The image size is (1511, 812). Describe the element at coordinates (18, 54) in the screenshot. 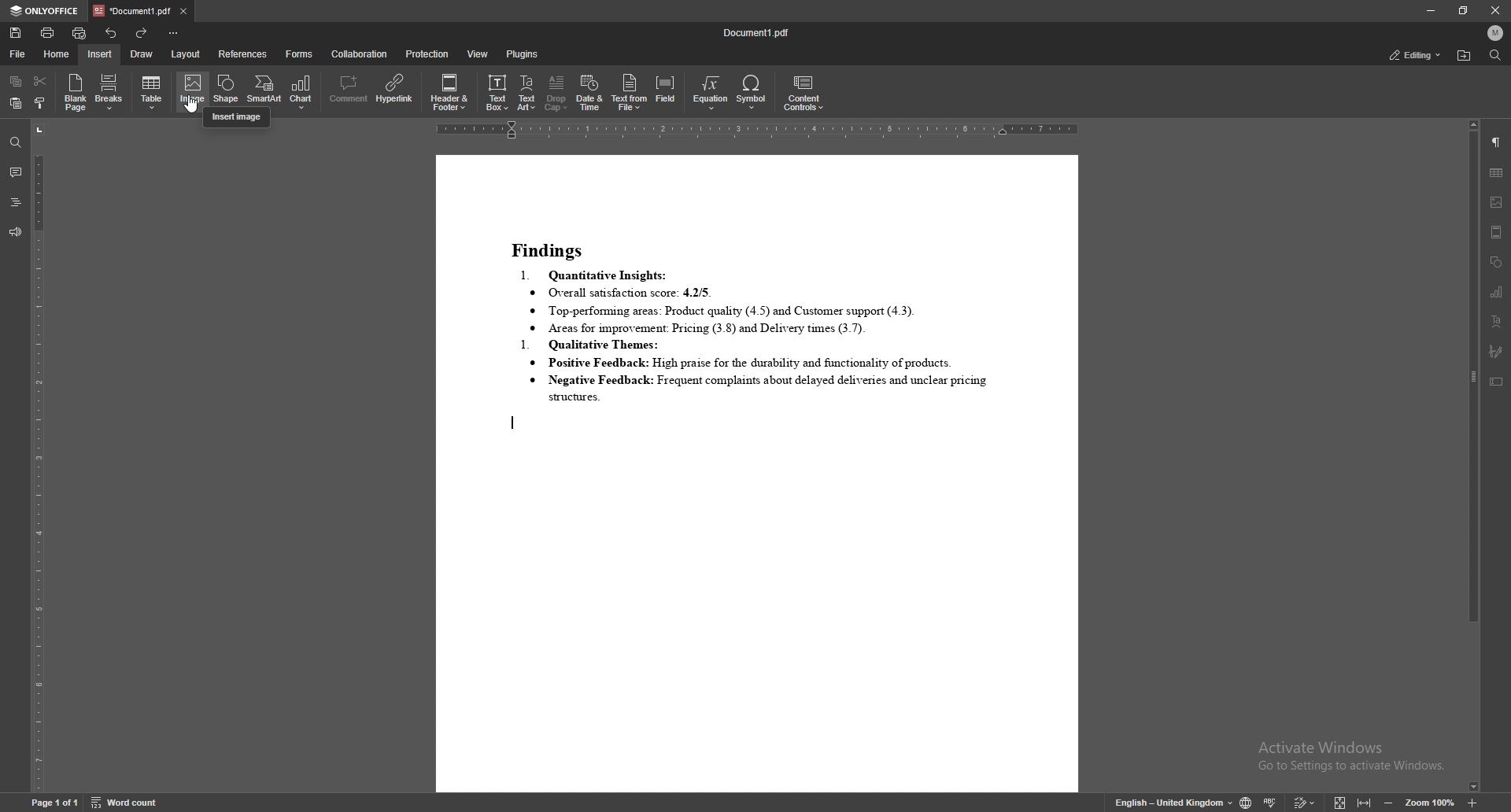

I see `file` at that location.